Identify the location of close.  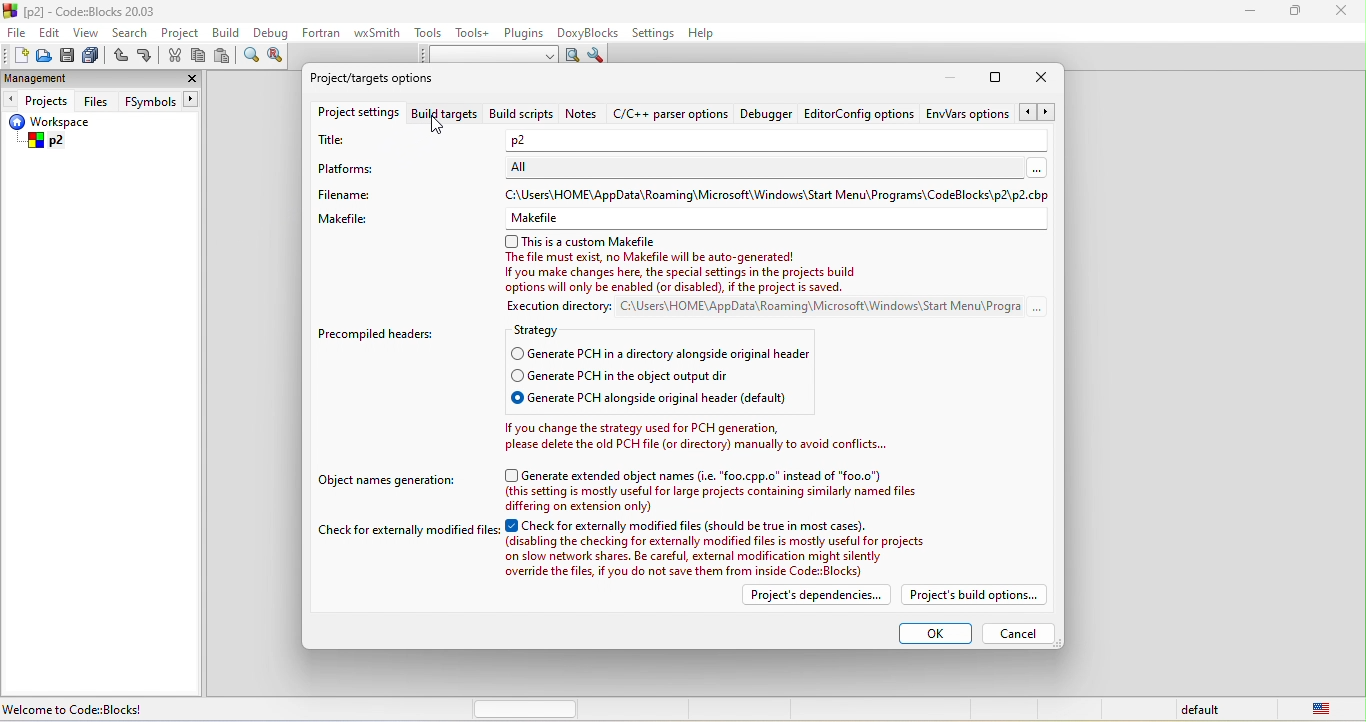
(1341, 15).